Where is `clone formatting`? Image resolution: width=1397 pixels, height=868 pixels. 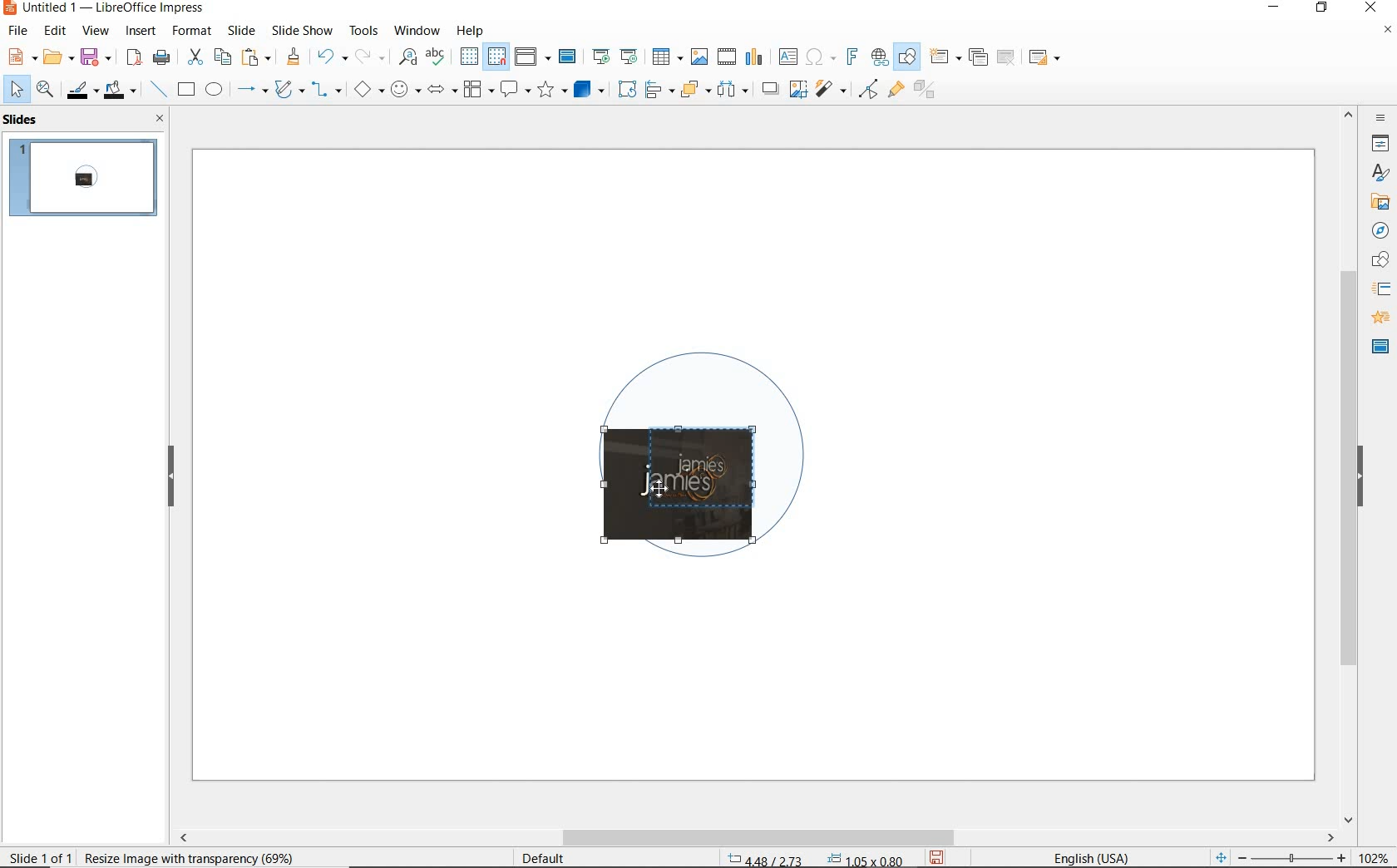
clone formatting is located at coordinates (294, 57).